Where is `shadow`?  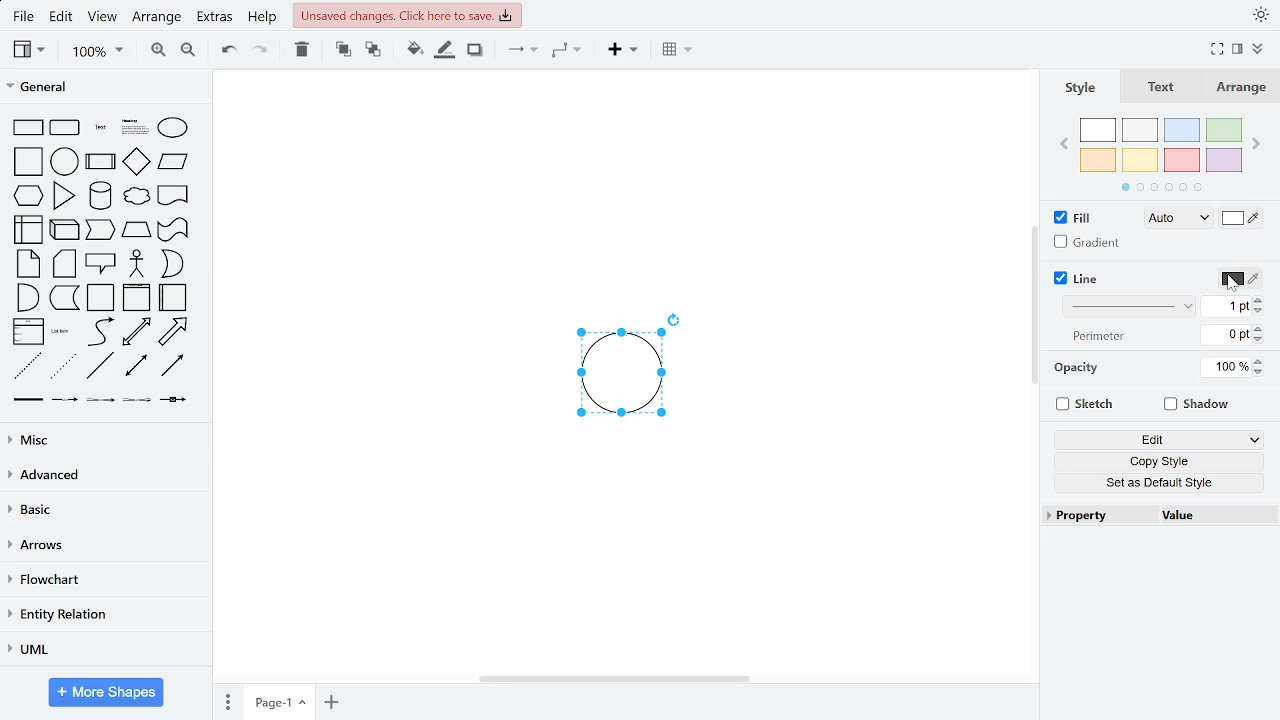
shadow is located at coordinates (477, 51).